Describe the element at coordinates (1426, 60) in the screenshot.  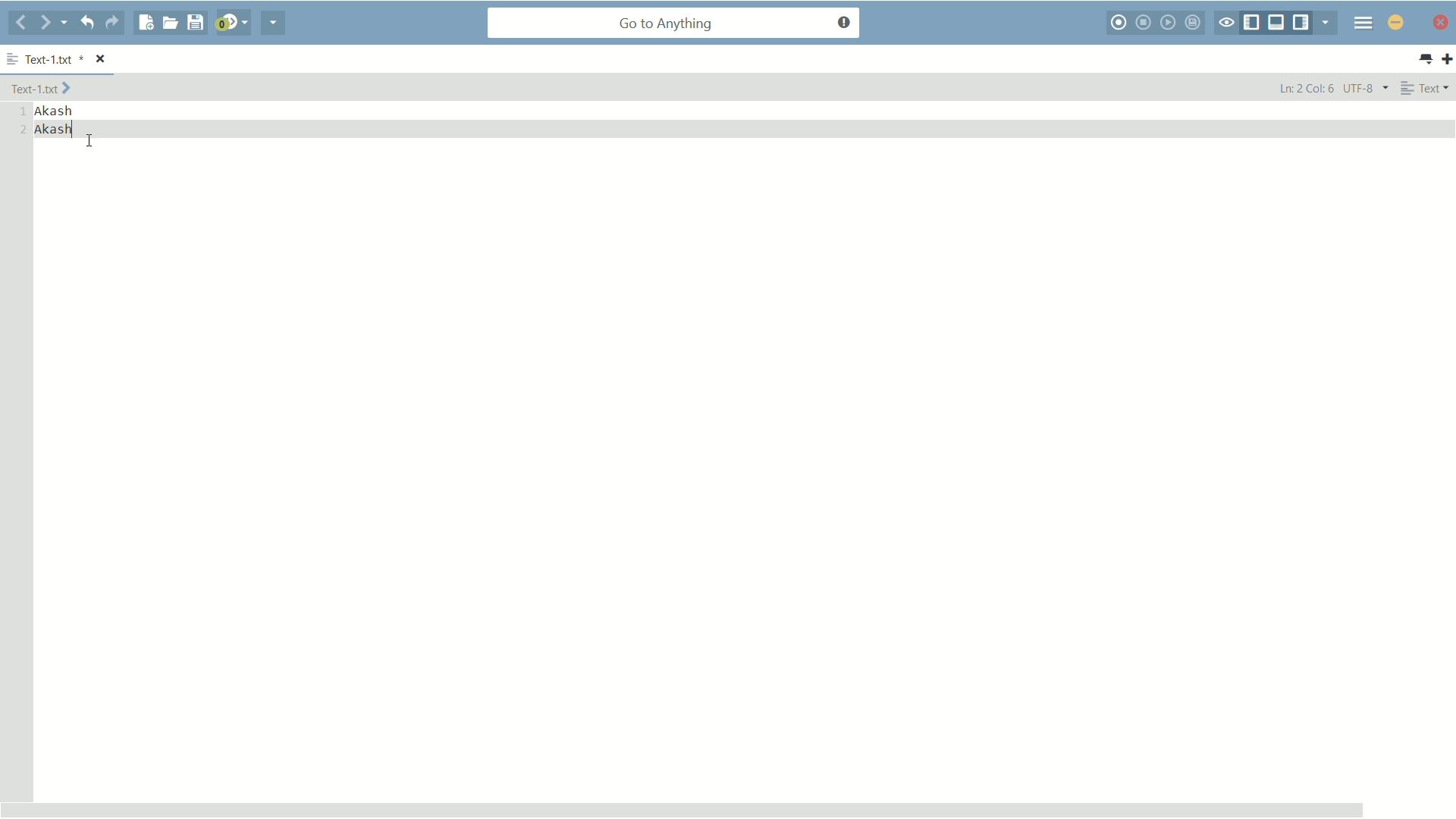
I see `show all tab` at that location.